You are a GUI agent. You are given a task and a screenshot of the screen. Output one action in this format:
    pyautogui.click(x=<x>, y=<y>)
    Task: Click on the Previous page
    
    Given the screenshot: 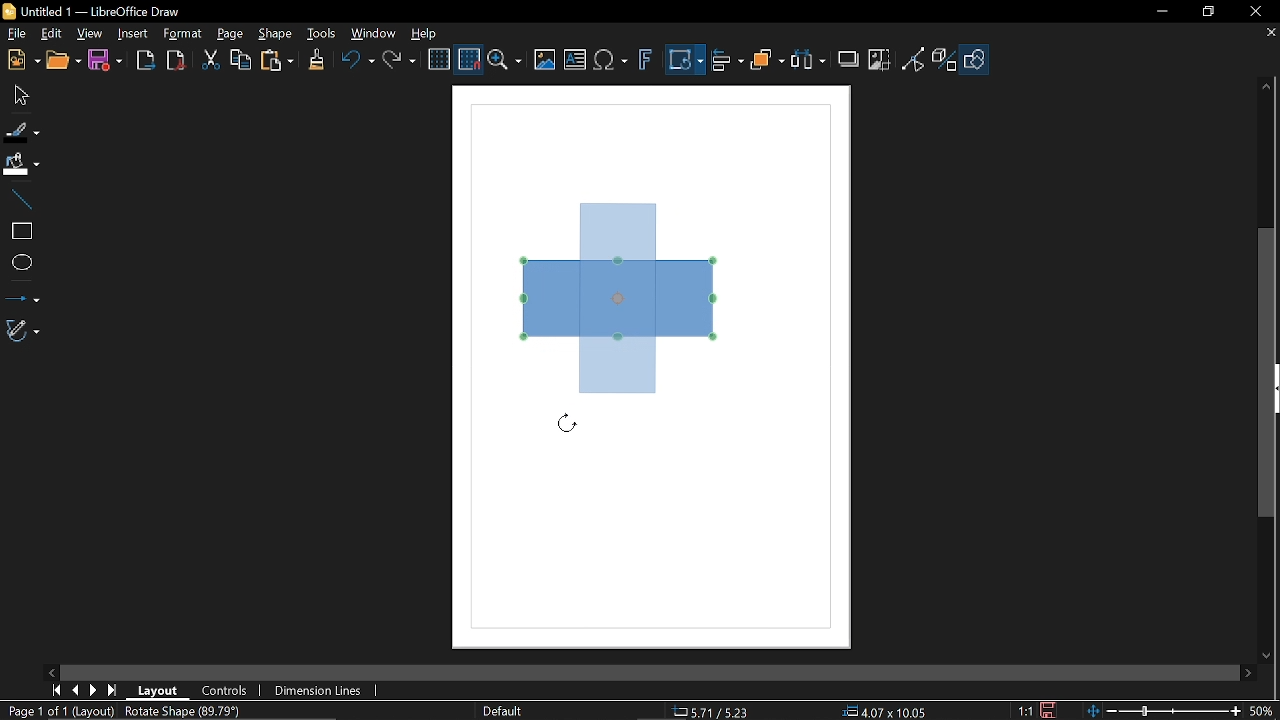 What is the action you would take?
    pyautogui.click(x=74, y=691)
    